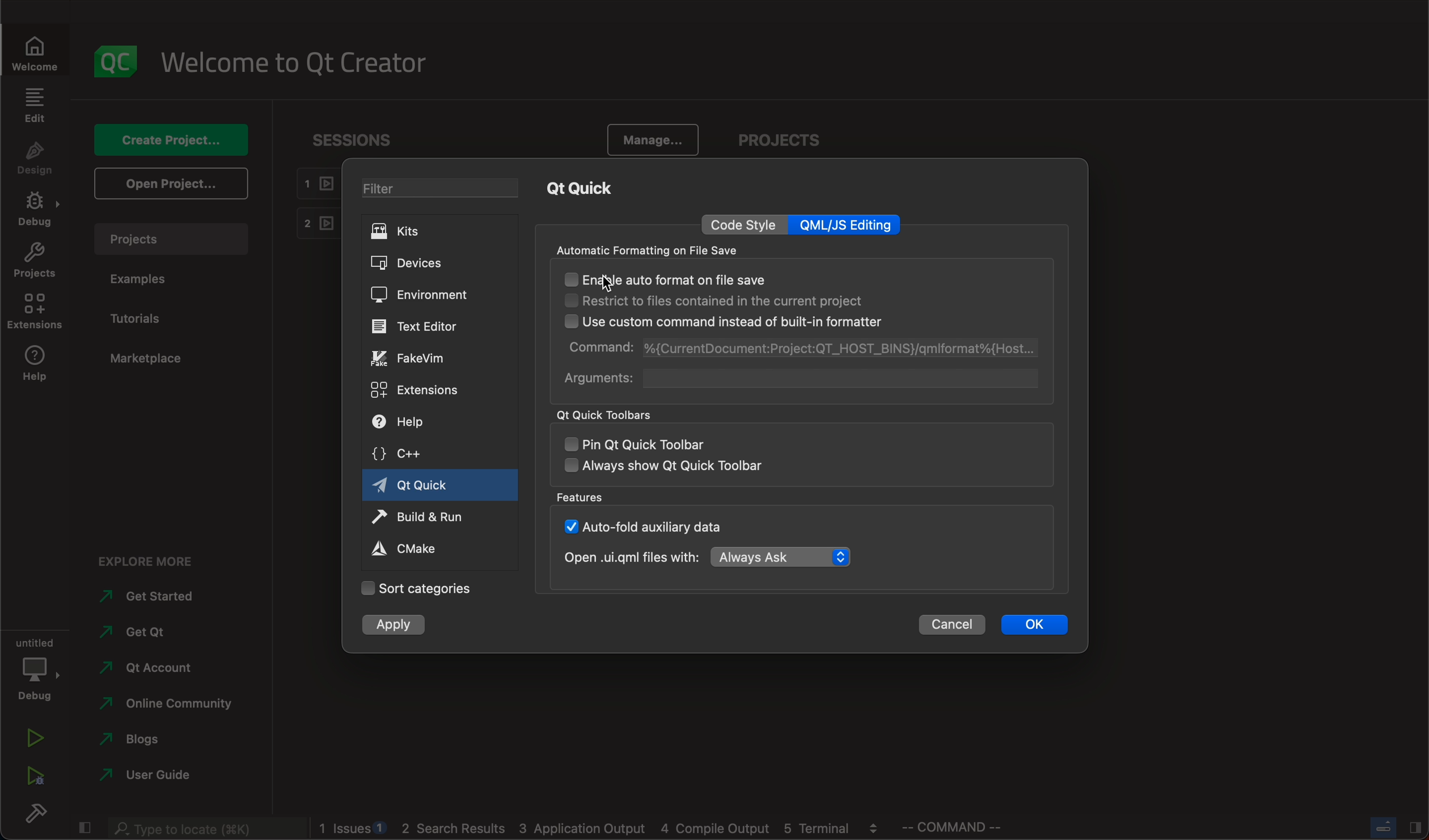  What do you see at coordinates (1393, 826) in the screenshot?
I see `close slide bar` at bounding box center [1393, 826].